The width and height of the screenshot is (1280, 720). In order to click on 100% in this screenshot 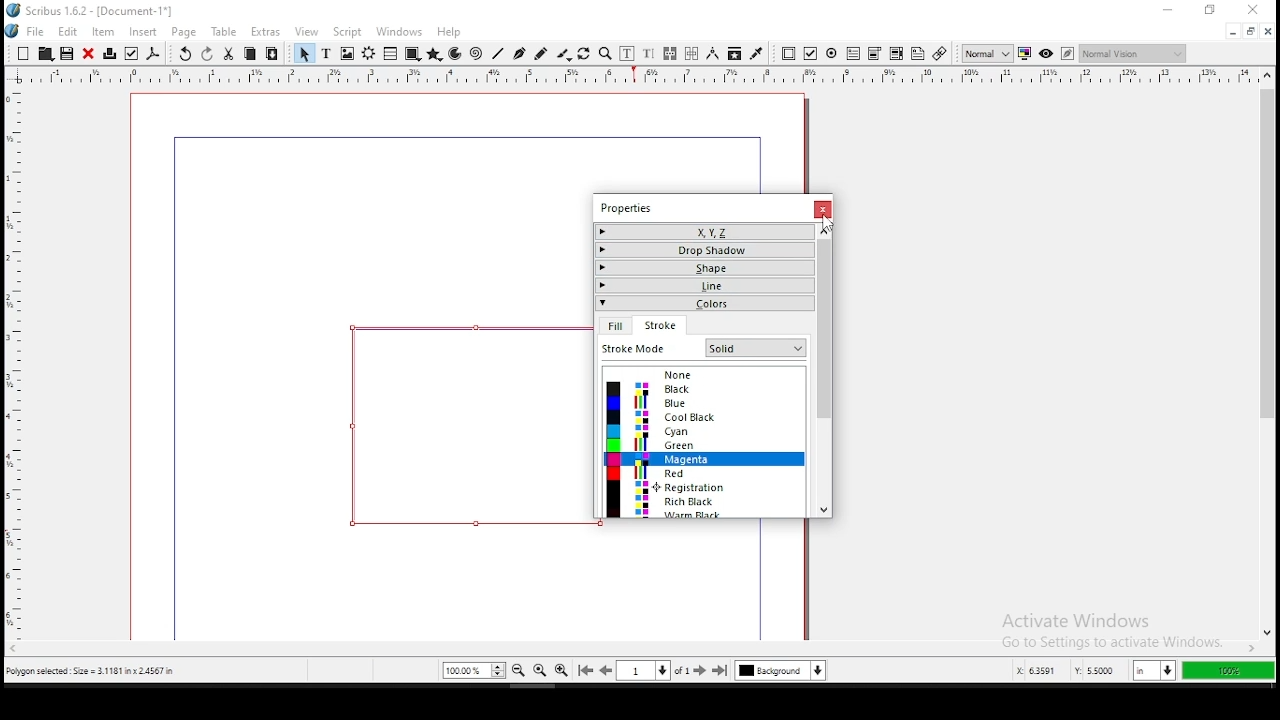, I will do `click(1228, 671)`.